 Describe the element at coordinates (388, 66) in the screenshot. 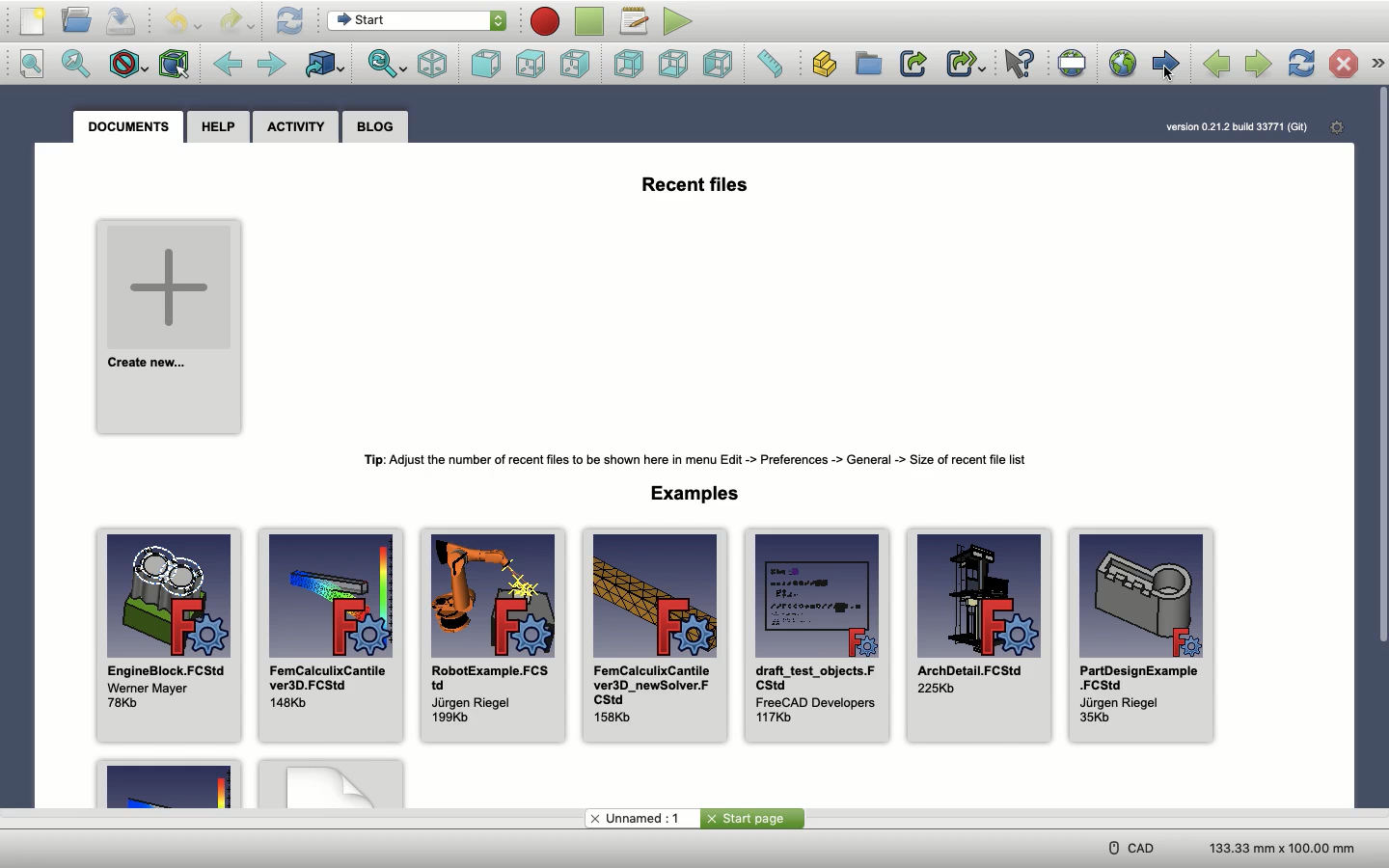

I see `Sync view` at that location.